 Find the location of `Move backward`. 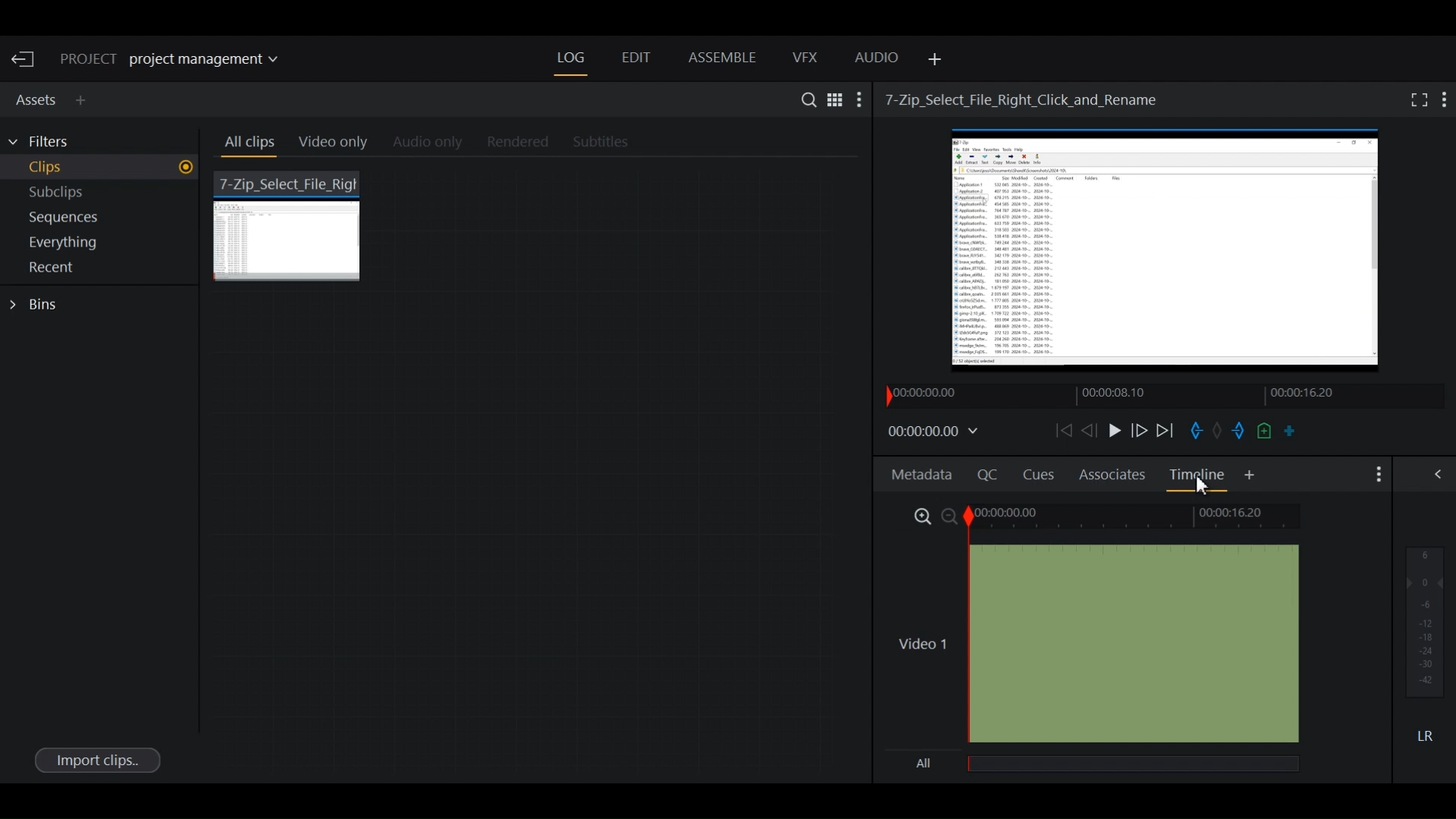

Move backward is located at coordinates (1062, 430).